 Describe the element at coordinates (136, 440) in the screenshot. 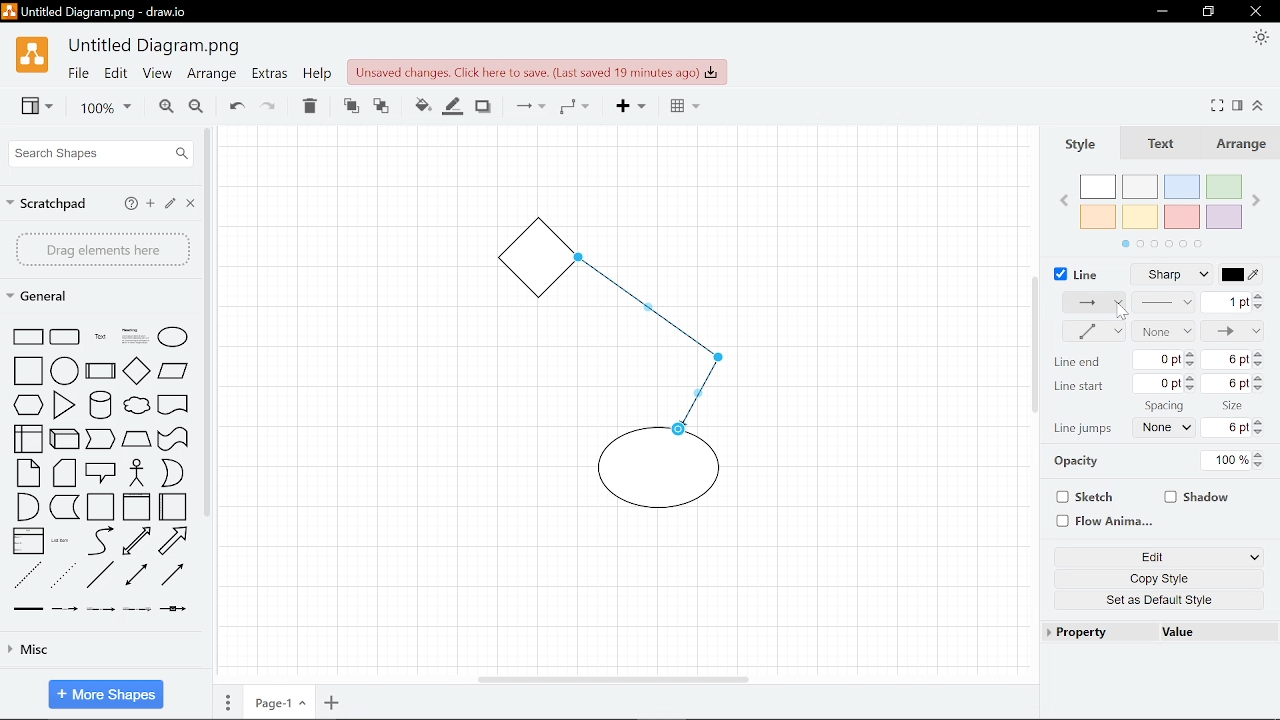

I see `shape` at that location.